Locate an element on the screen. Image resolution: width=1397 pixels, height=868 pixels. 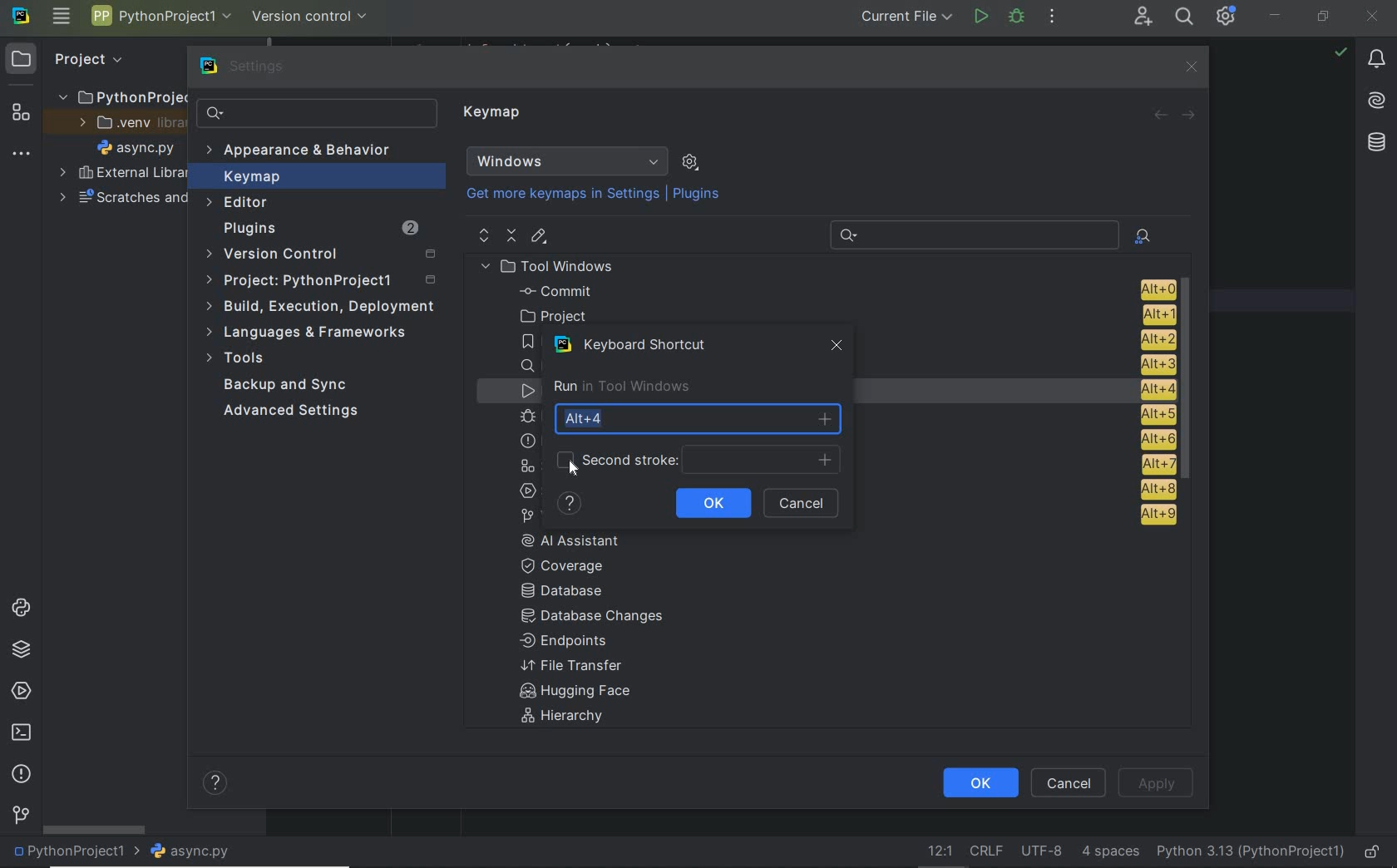
structure is located at coordinates (18, 111).